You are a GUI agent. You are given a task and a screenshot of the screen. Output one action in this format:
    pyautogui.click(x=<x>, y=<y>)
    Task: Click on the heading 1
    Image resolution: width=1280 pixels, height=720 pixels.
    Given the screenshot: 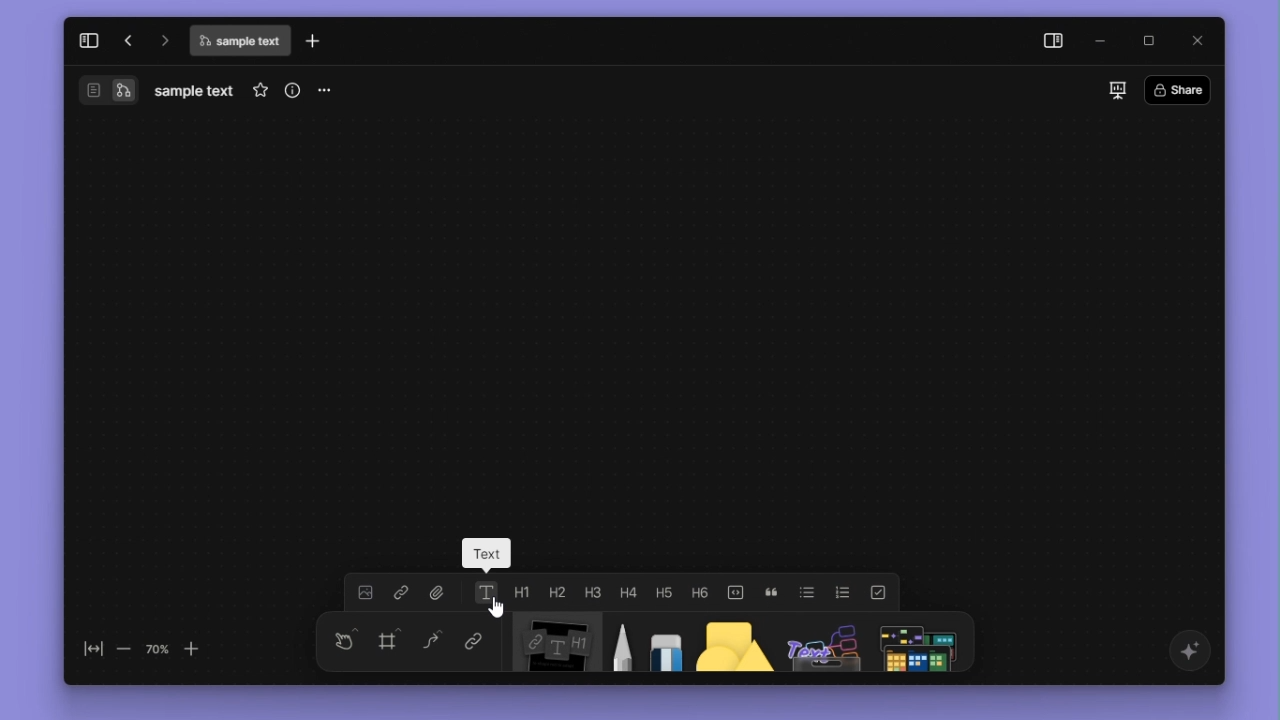 What is the action you would take?
    pyautogui.click(x=522, y=592)
    